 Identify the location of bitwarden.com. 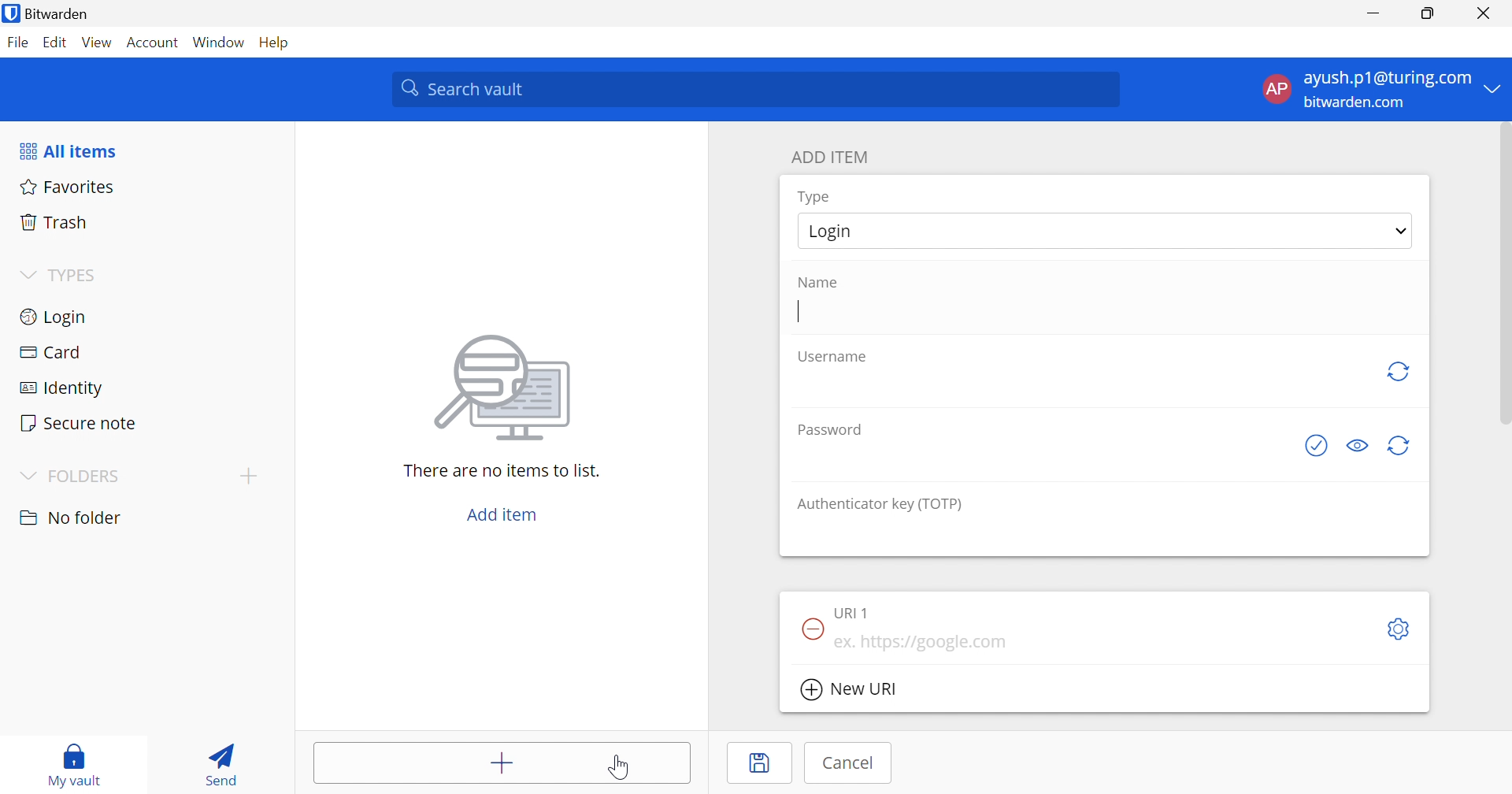
(1358, 103).